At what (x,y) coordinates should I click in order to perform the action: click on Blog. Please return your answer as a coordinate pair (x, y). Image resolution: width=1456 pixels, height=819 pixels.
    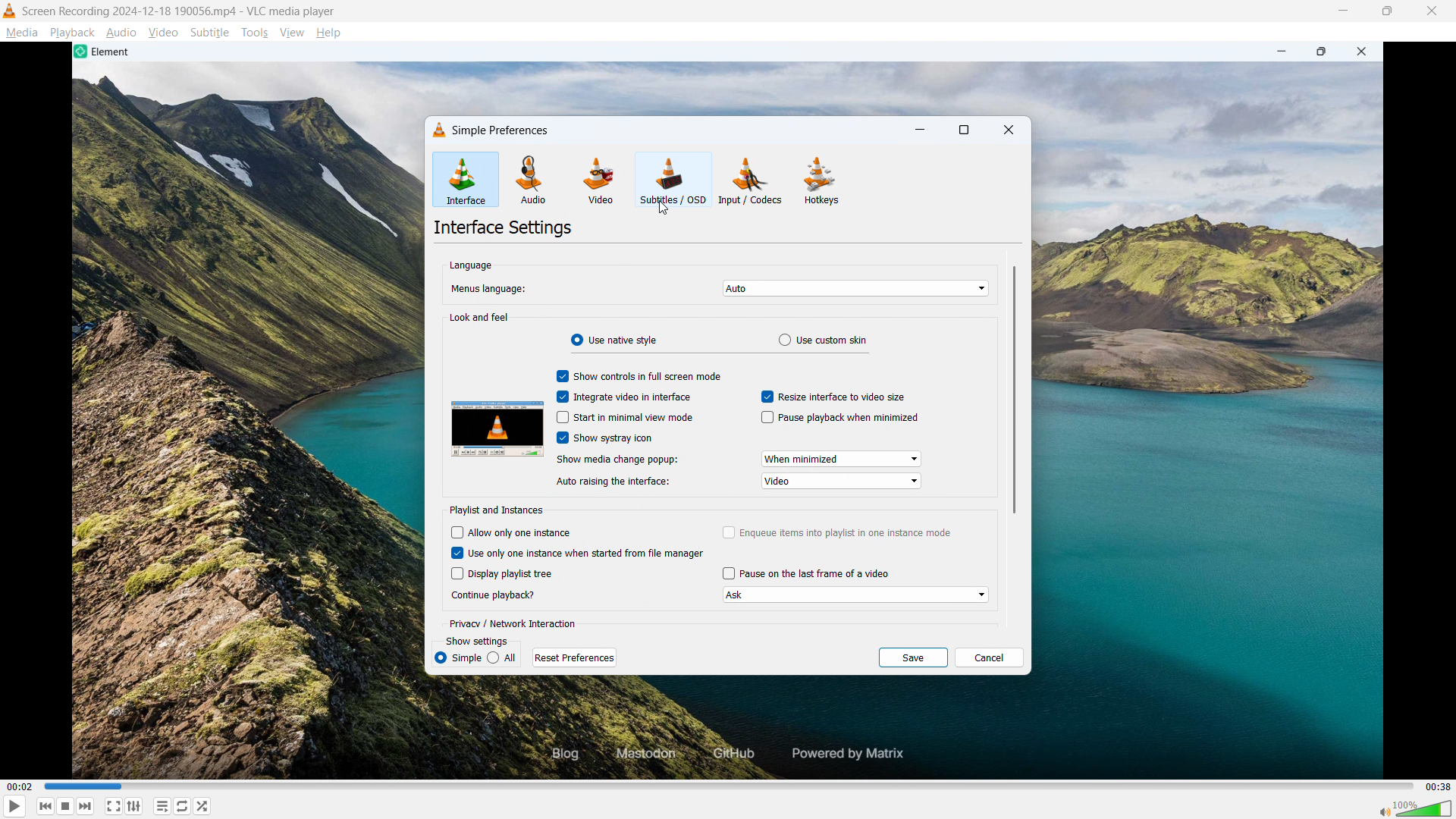
    Looking at the image, I should click on (554, 755).